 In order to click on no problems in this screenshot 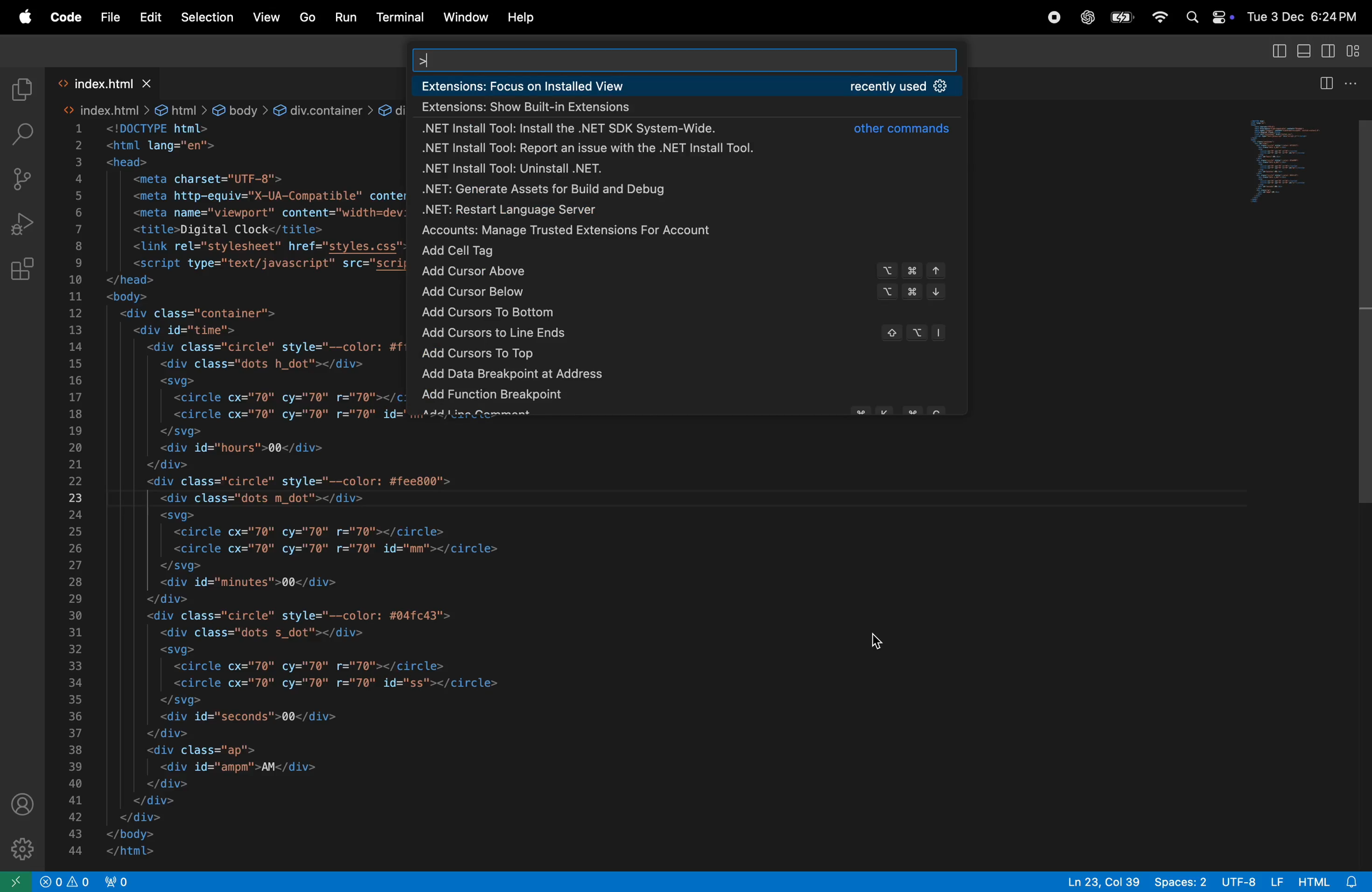, I will do `click(69, 882)`.